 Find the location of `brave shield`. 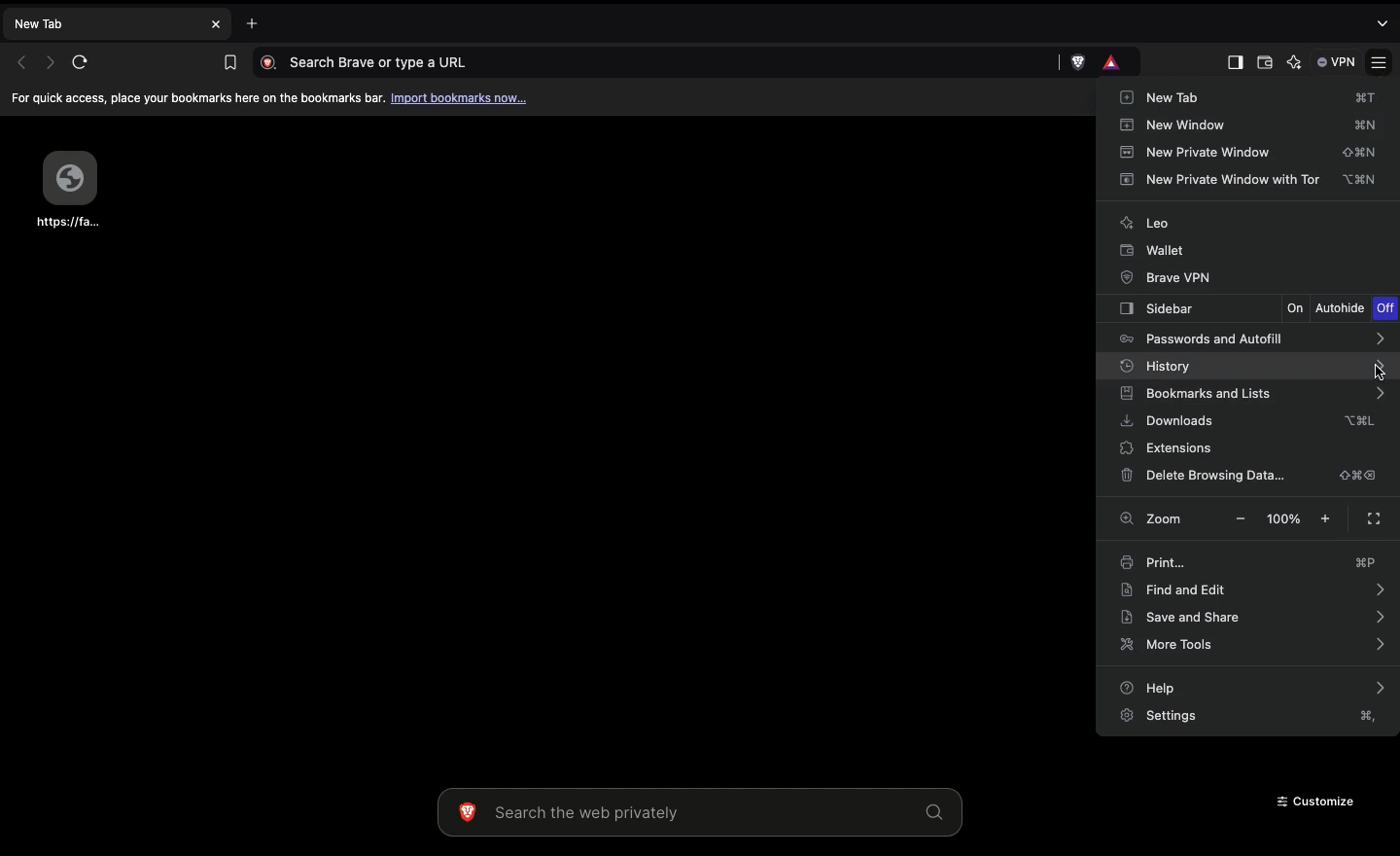

brave shield is located at coordinates (1080, 62).